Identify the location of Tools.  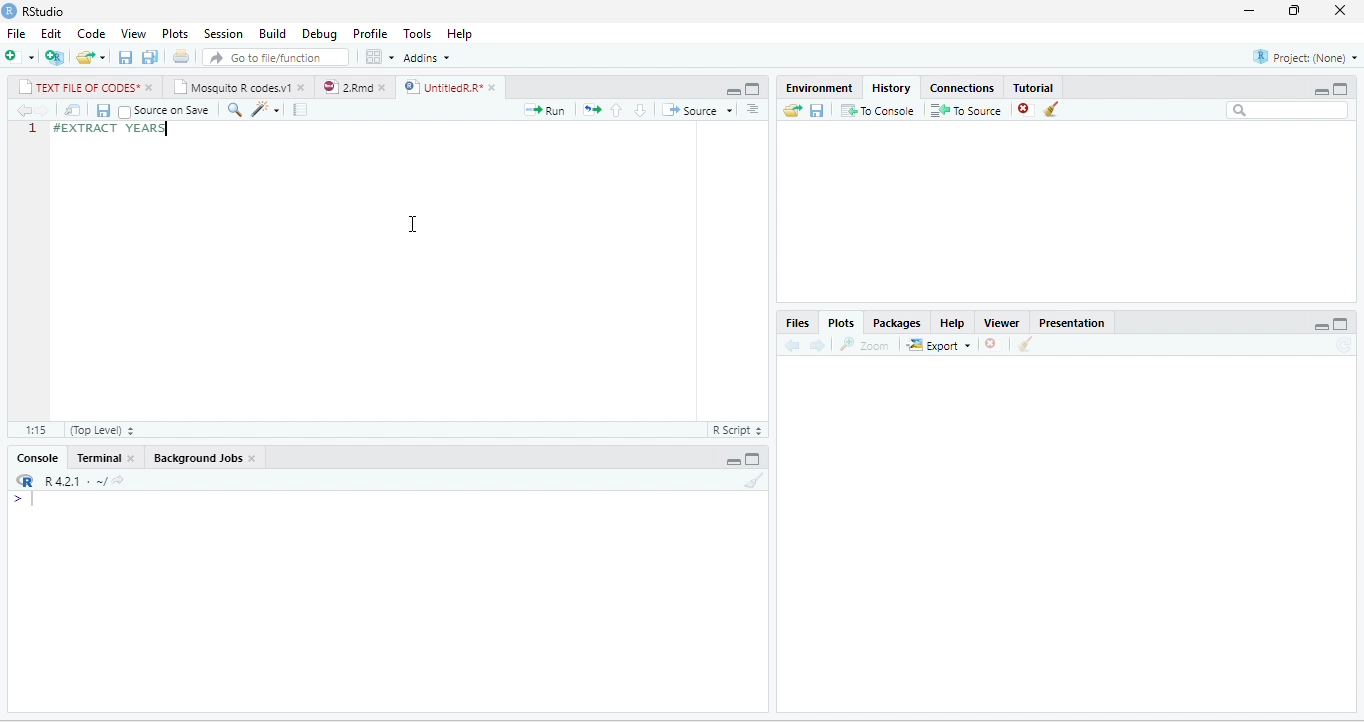
(419, 34).